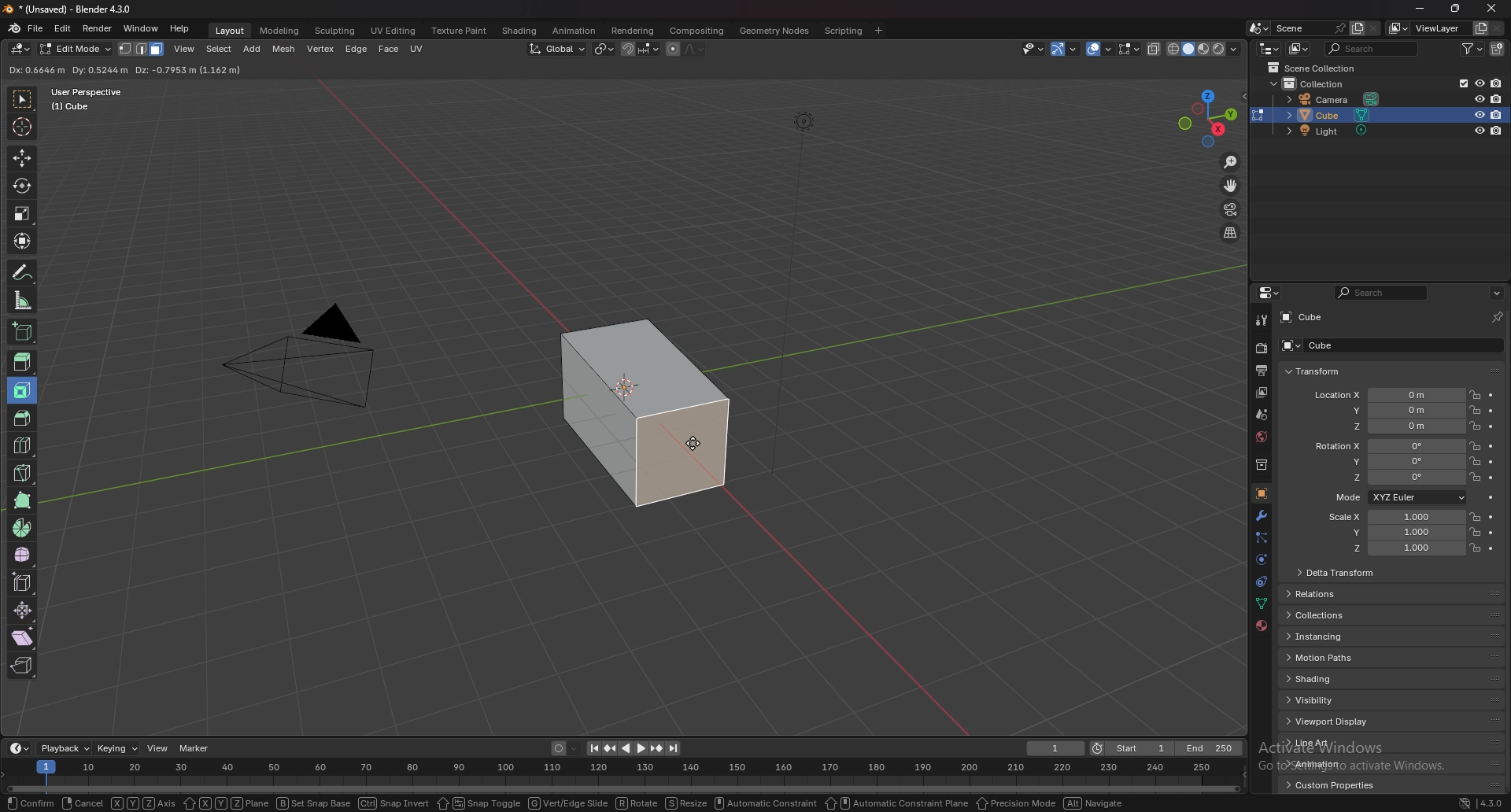 This screenshot has width=1511, height=812. What do you see at coordinates (1498, 317) in the screenshot?
I see `pin` at bounding box center [1498, 317].